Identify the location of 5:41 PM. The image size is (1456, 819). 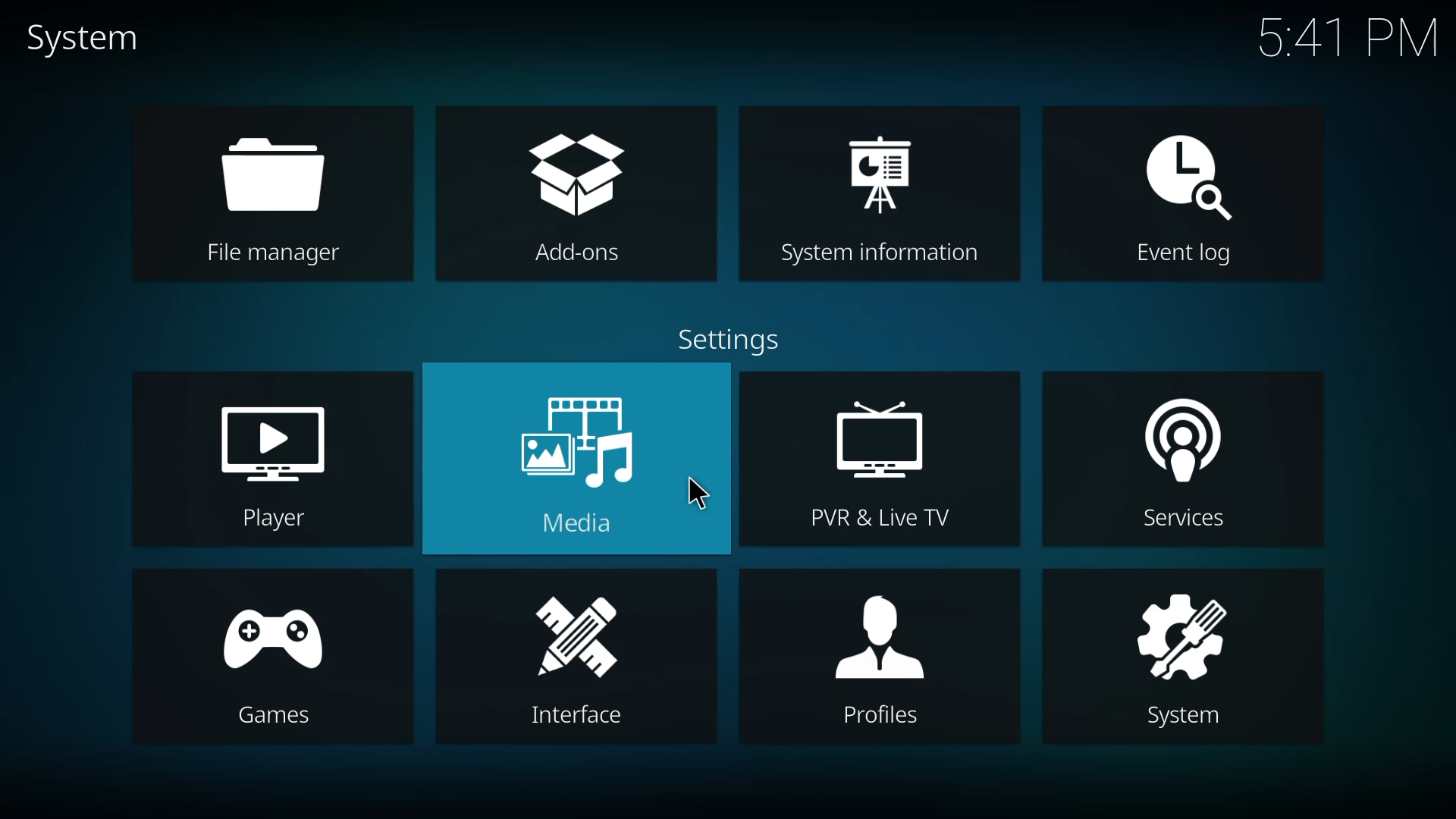
(1348, 35).